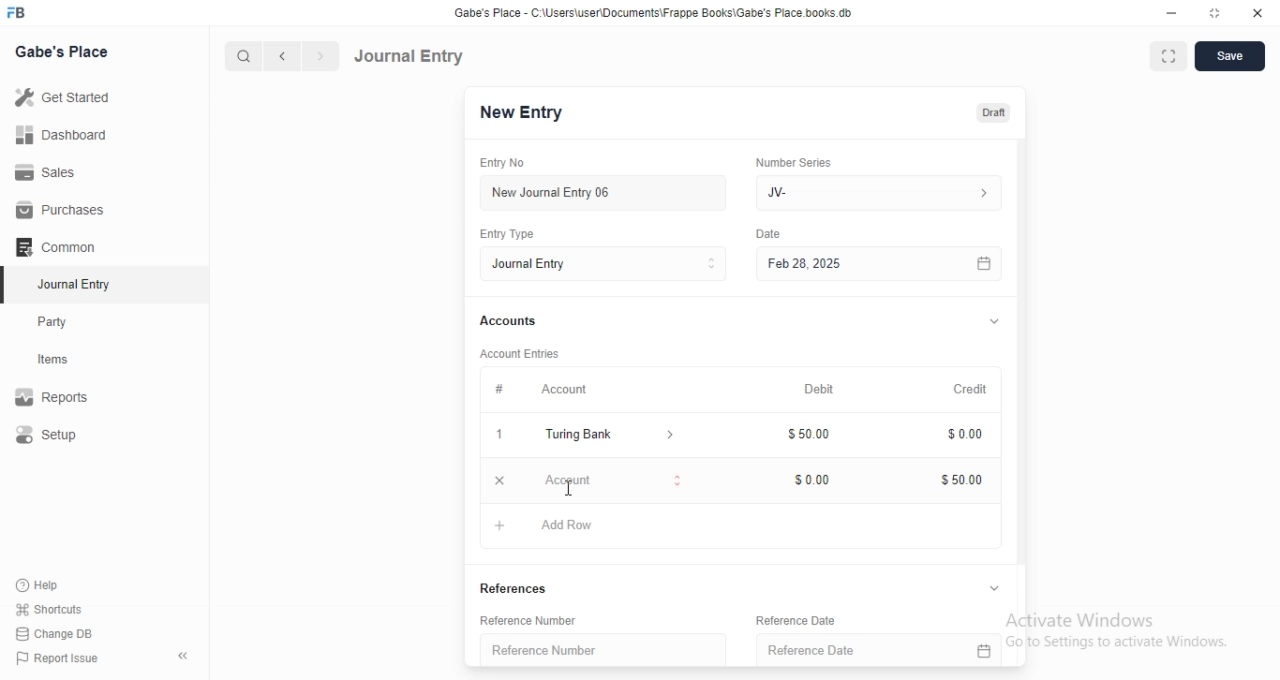 This screenshot has height=680, width=1280. I want to click on Debit, so click(818, 390).